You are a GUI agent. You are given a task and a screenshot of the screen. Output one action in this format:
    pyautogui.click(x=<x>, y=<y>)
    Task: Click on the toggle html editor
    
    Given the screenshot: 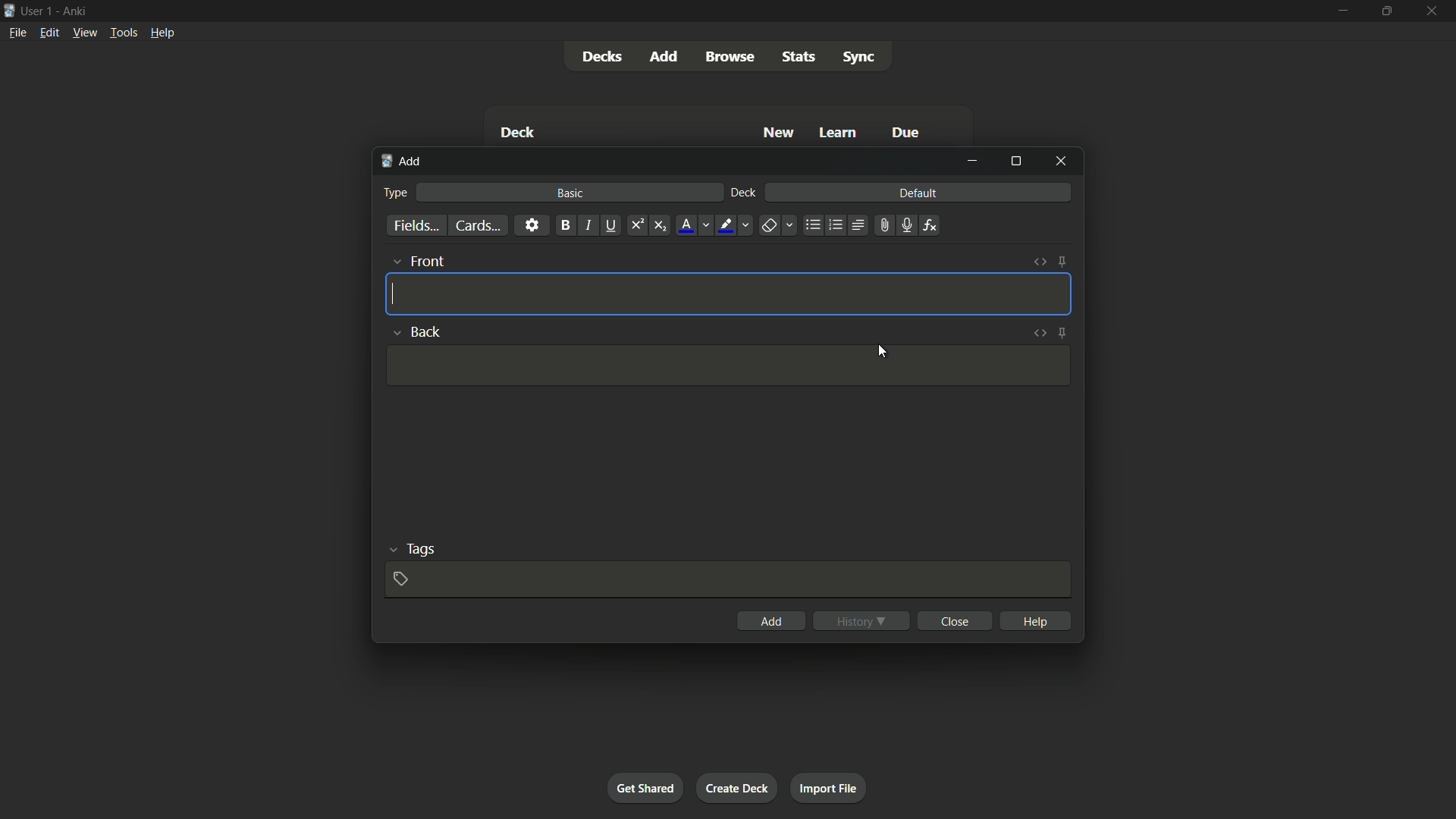 What is the action you would take?
    pyautogui.click(x=1040, y=262)
    